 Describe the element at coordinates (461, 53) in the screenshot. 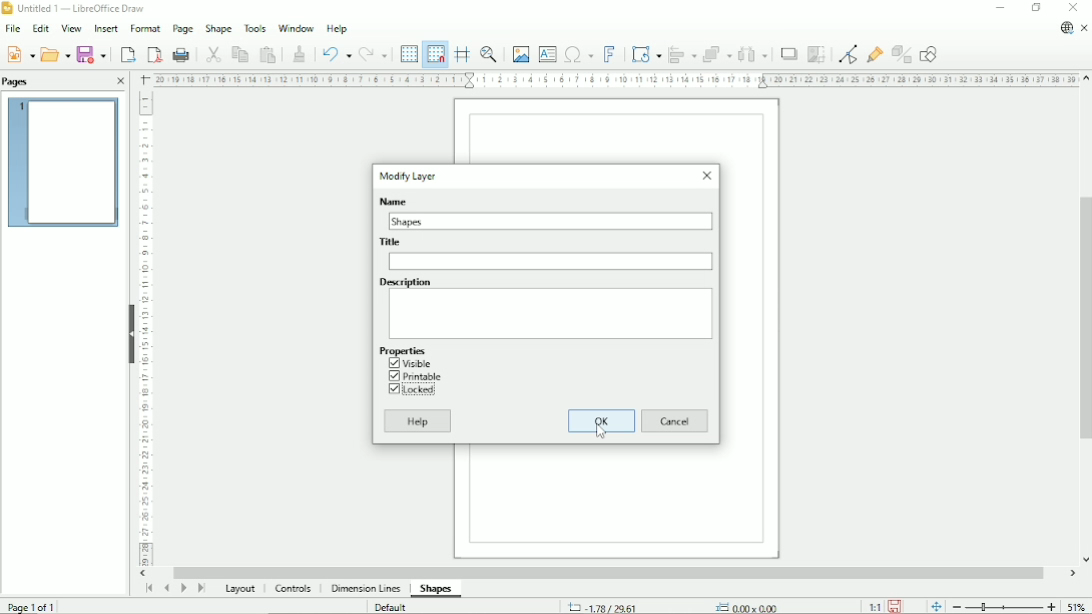

I see `Helplines while moving` at that location.